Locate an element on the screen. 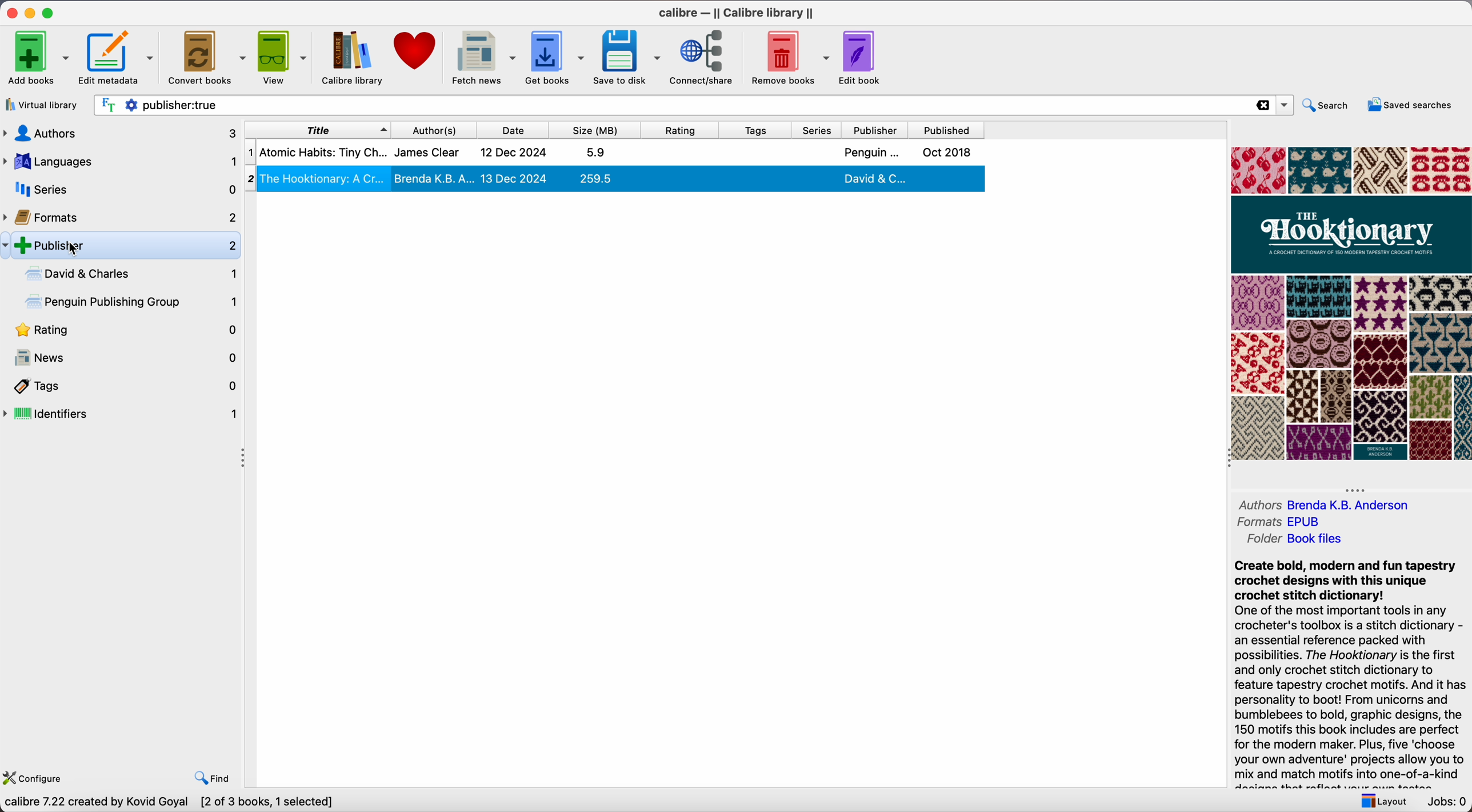  book cover preview is located at coordinates (1351, 305).